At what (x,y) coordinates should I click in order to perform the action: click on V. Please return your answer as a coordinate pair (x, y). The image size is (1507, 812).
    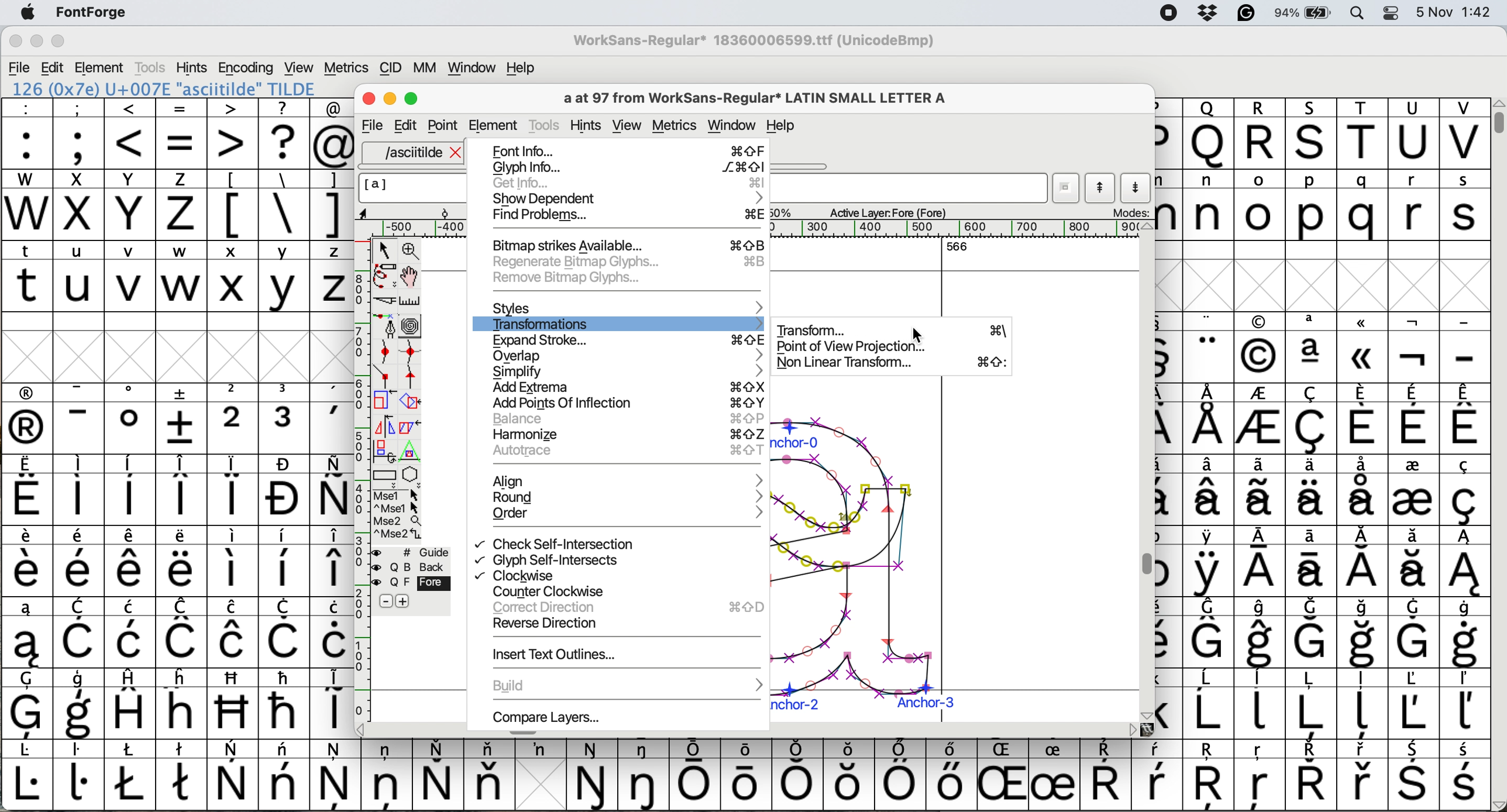
    Looking at the image, I should click on (1464, 134).